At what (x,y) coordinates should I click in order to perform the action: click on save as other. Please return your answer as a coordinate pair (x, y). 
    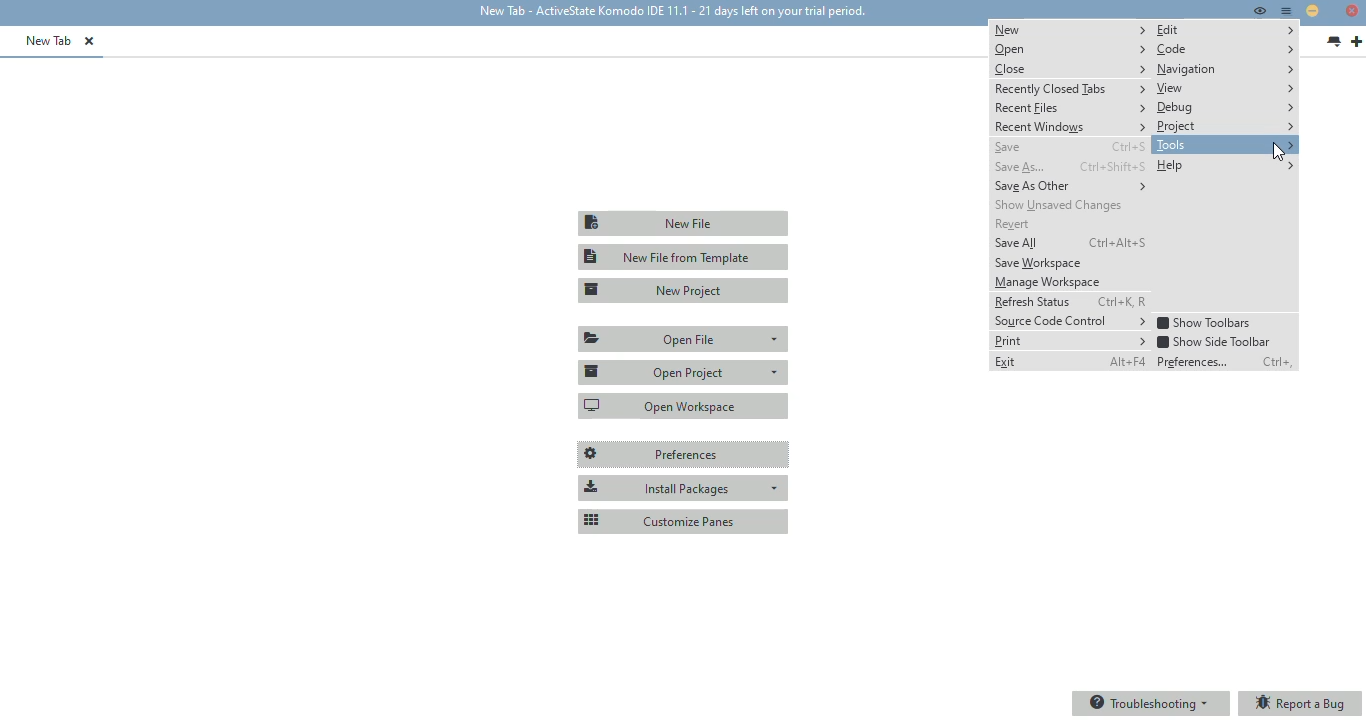
    Looking at the image, I should click on (1071, 186).